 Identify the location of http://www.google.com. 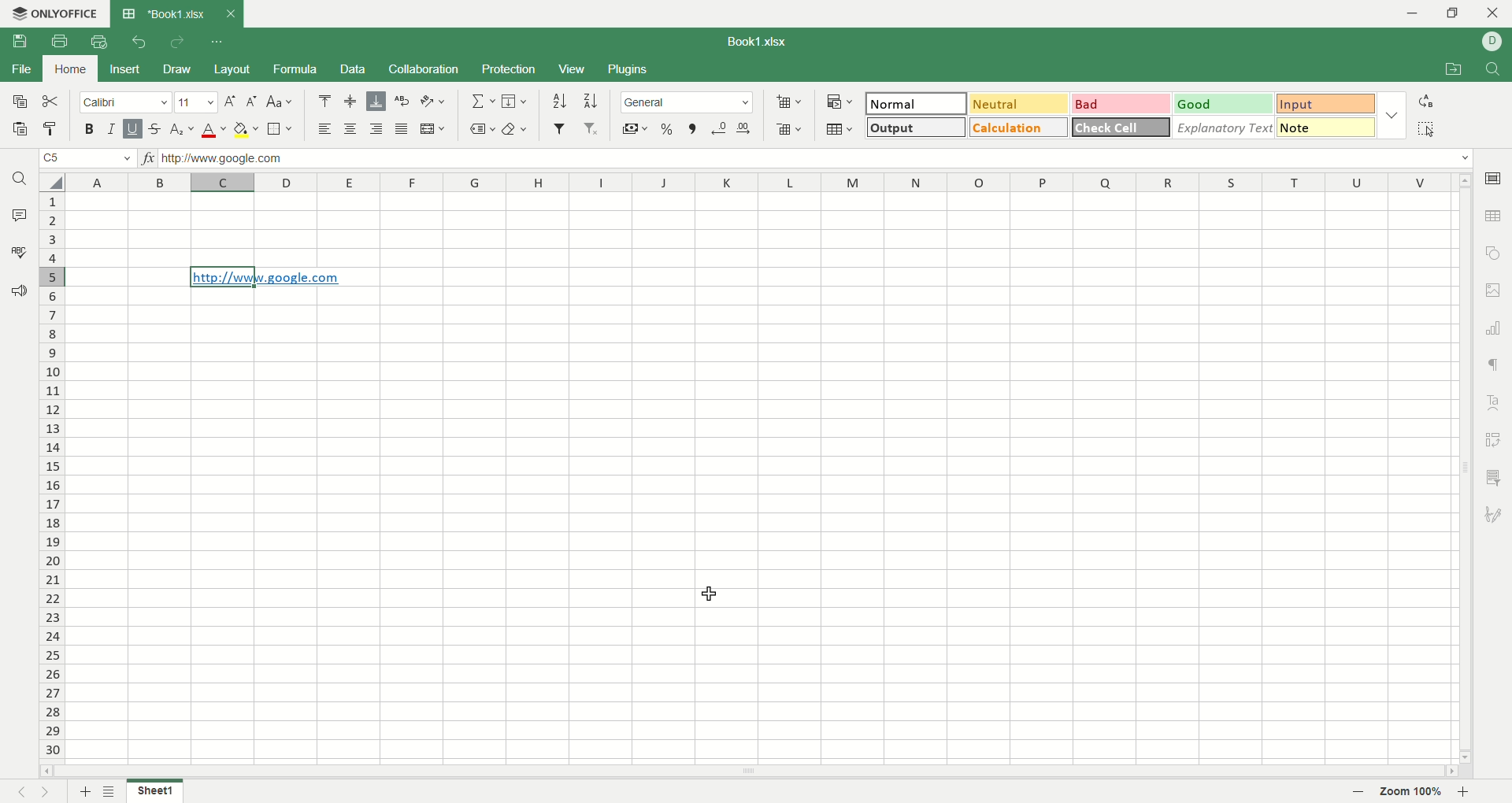
(268, 277).